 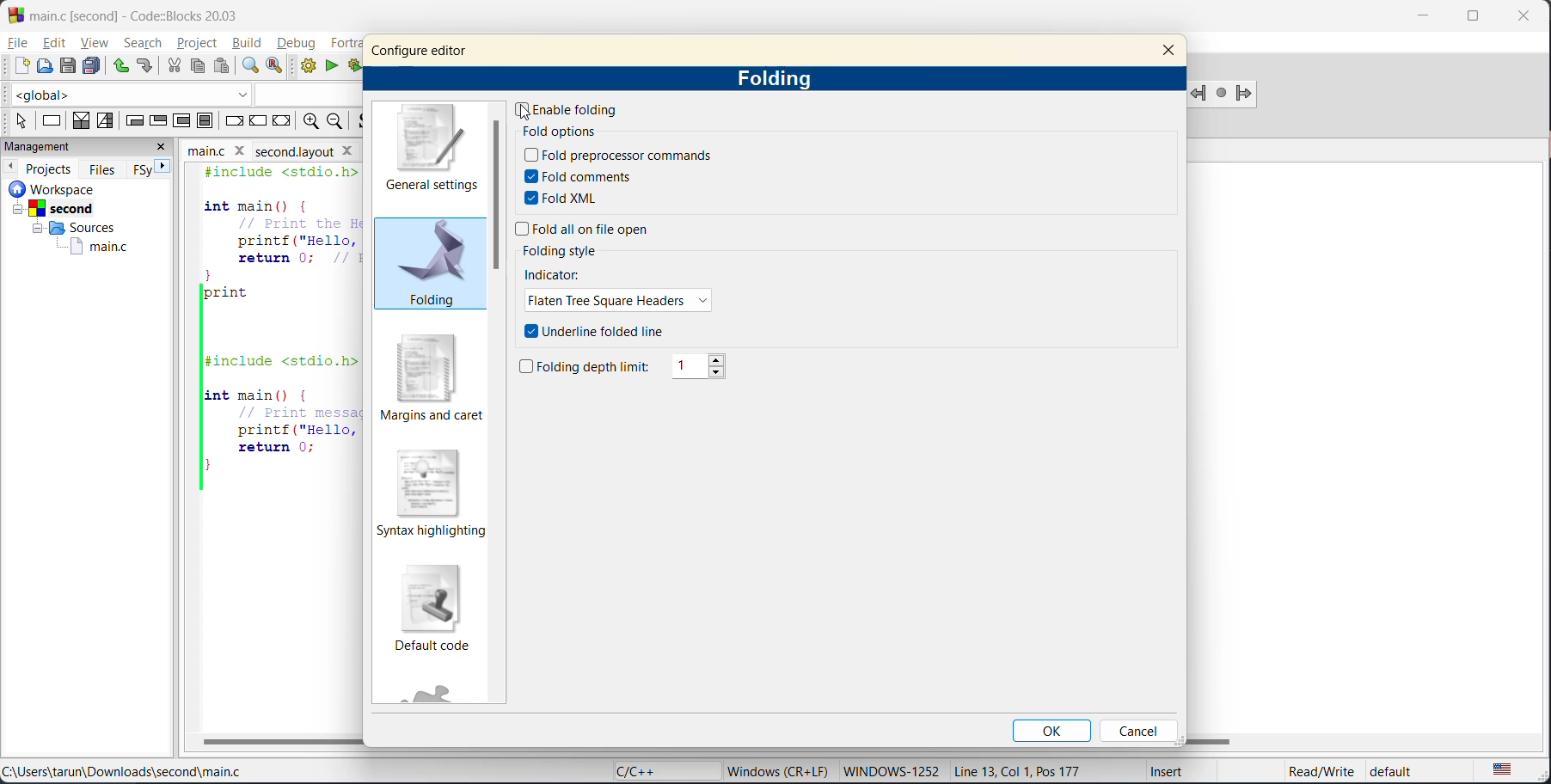 What do you see at coordinates (281, 123) in the screenshot?
I see `return instruction` at bounding box center [281, 123].